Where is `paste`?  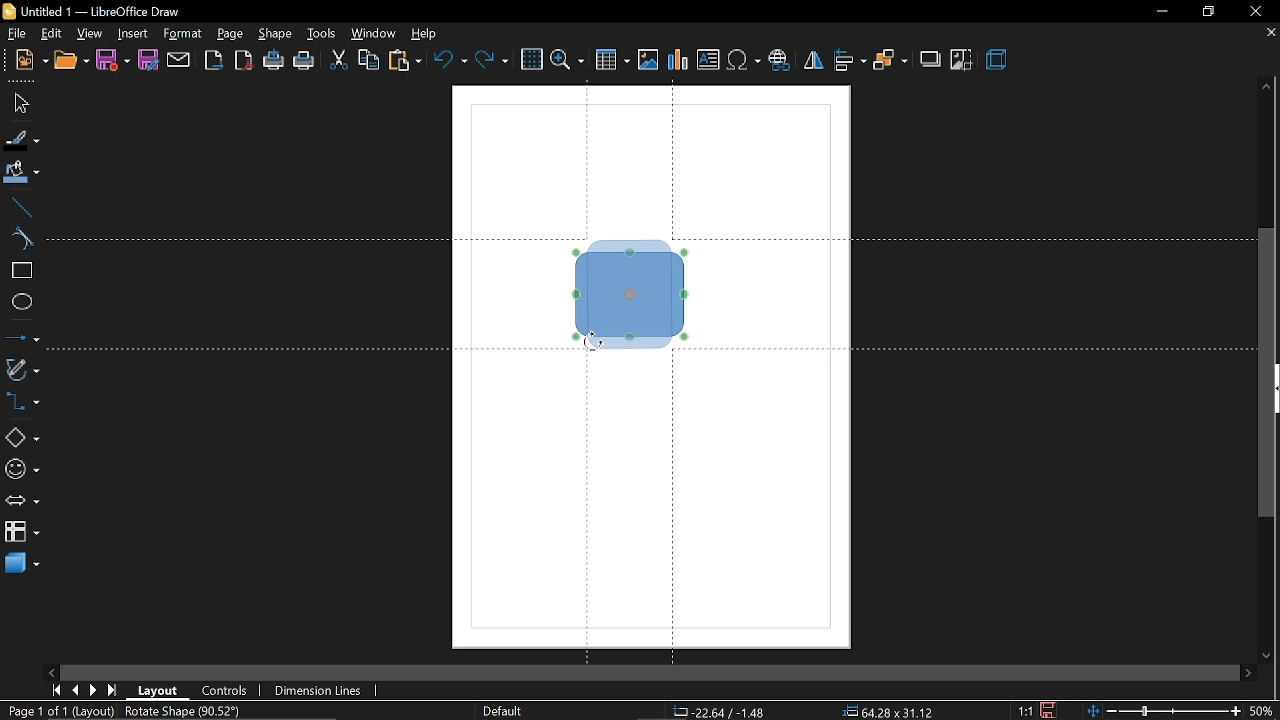
paste is located at coordinates (404, 62).